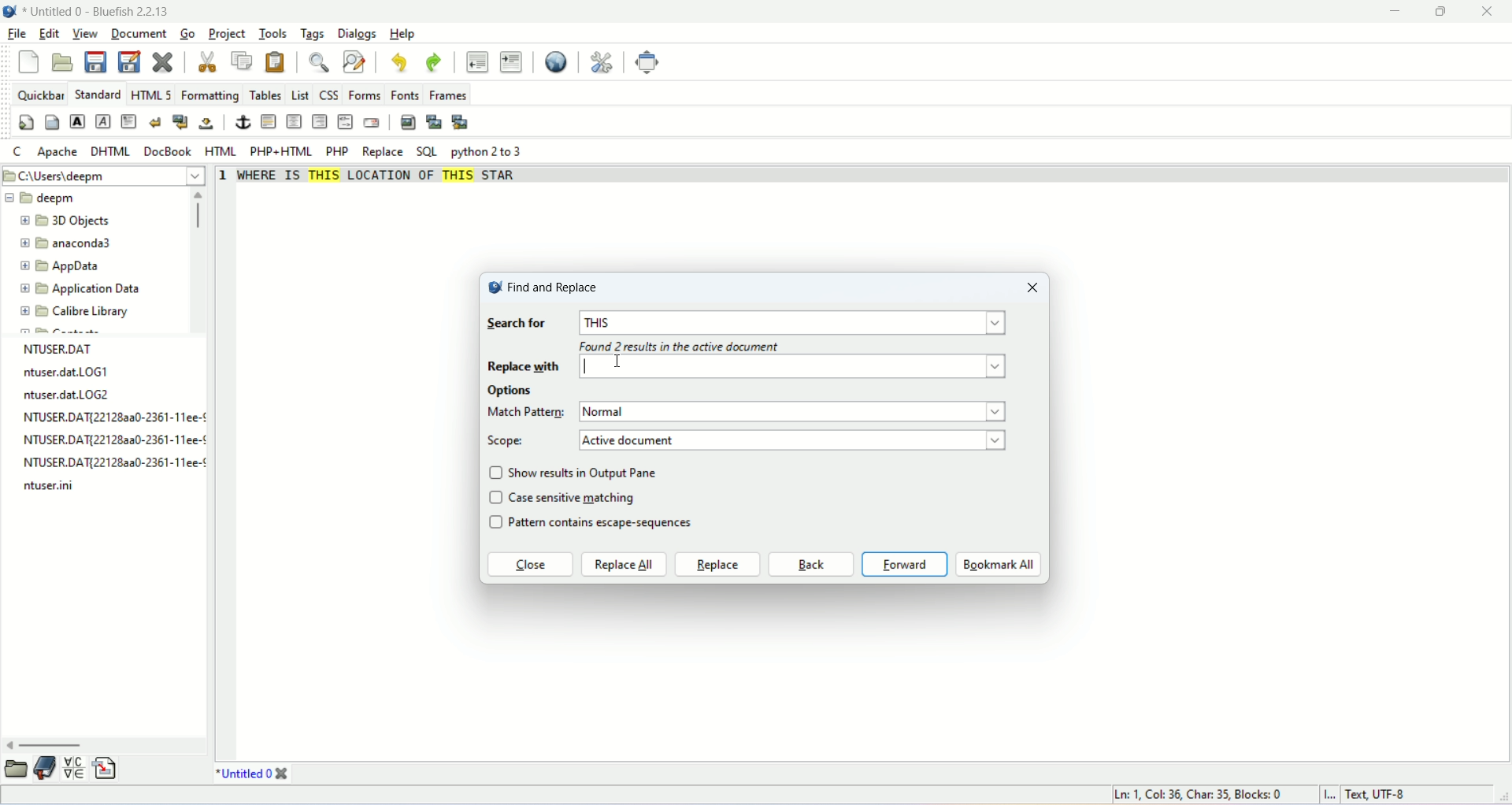 Image resolution: width=1512 pixels, height=805 pixels. I want to click on raplace, so click(717, 564).